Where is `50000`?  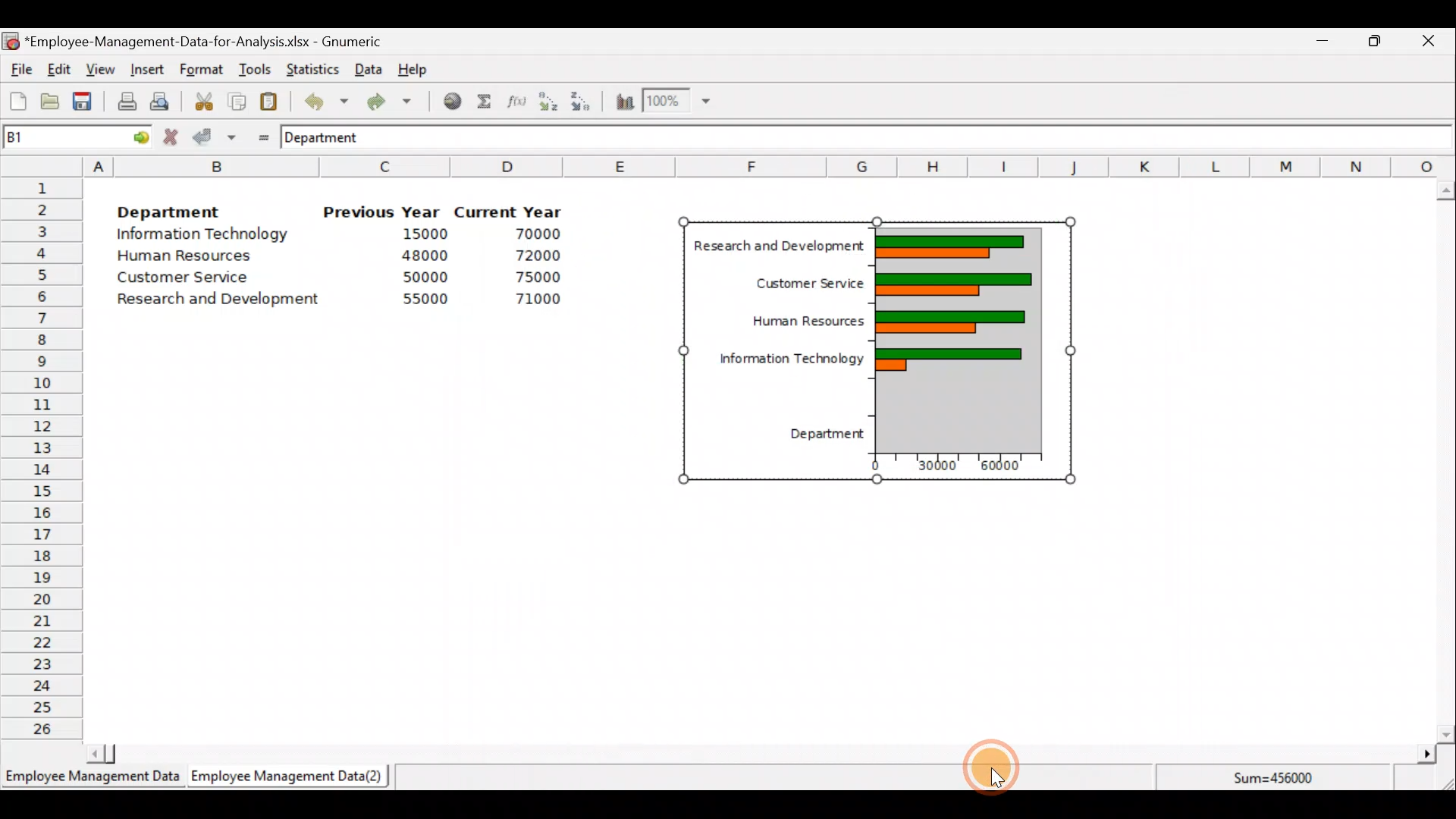 50000 is located at coordinates (429, 277).